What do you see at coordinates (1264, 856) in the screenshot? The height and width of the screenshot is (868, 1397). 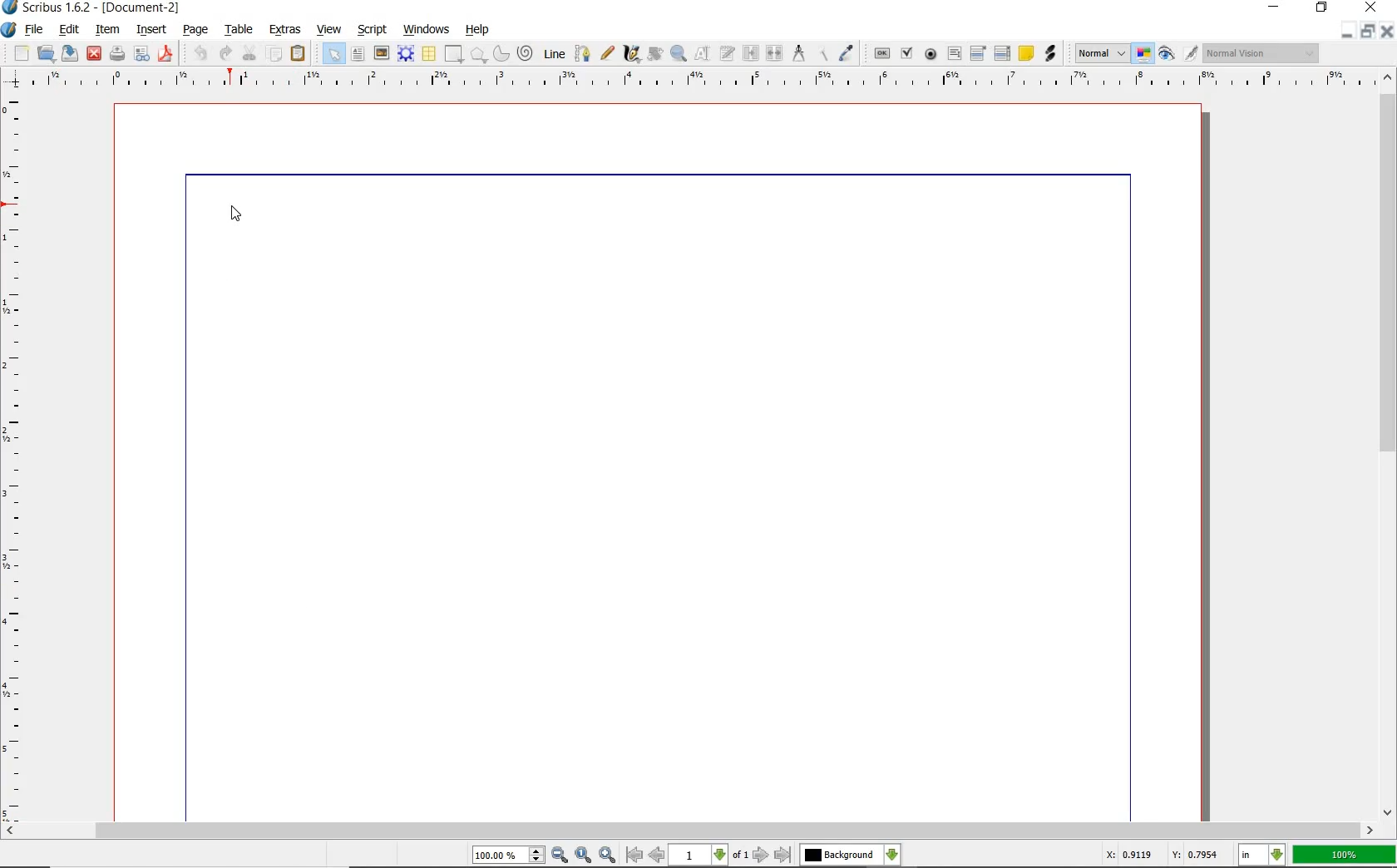 I see `select current unit` at bounding box center [1264, 856].